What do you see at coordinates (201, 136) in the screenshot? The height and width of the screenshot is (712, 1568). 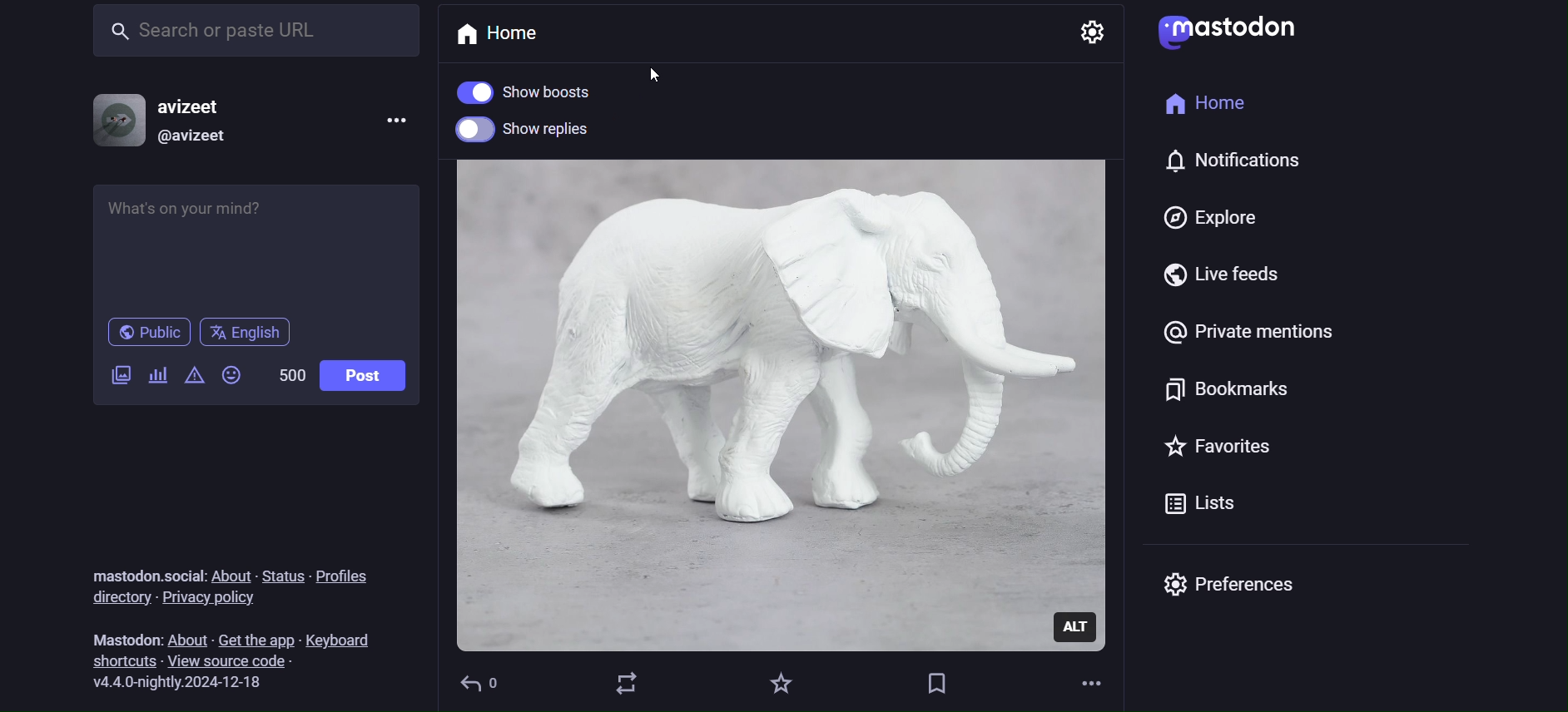 I see `@username` at bounding box center [201, 136].